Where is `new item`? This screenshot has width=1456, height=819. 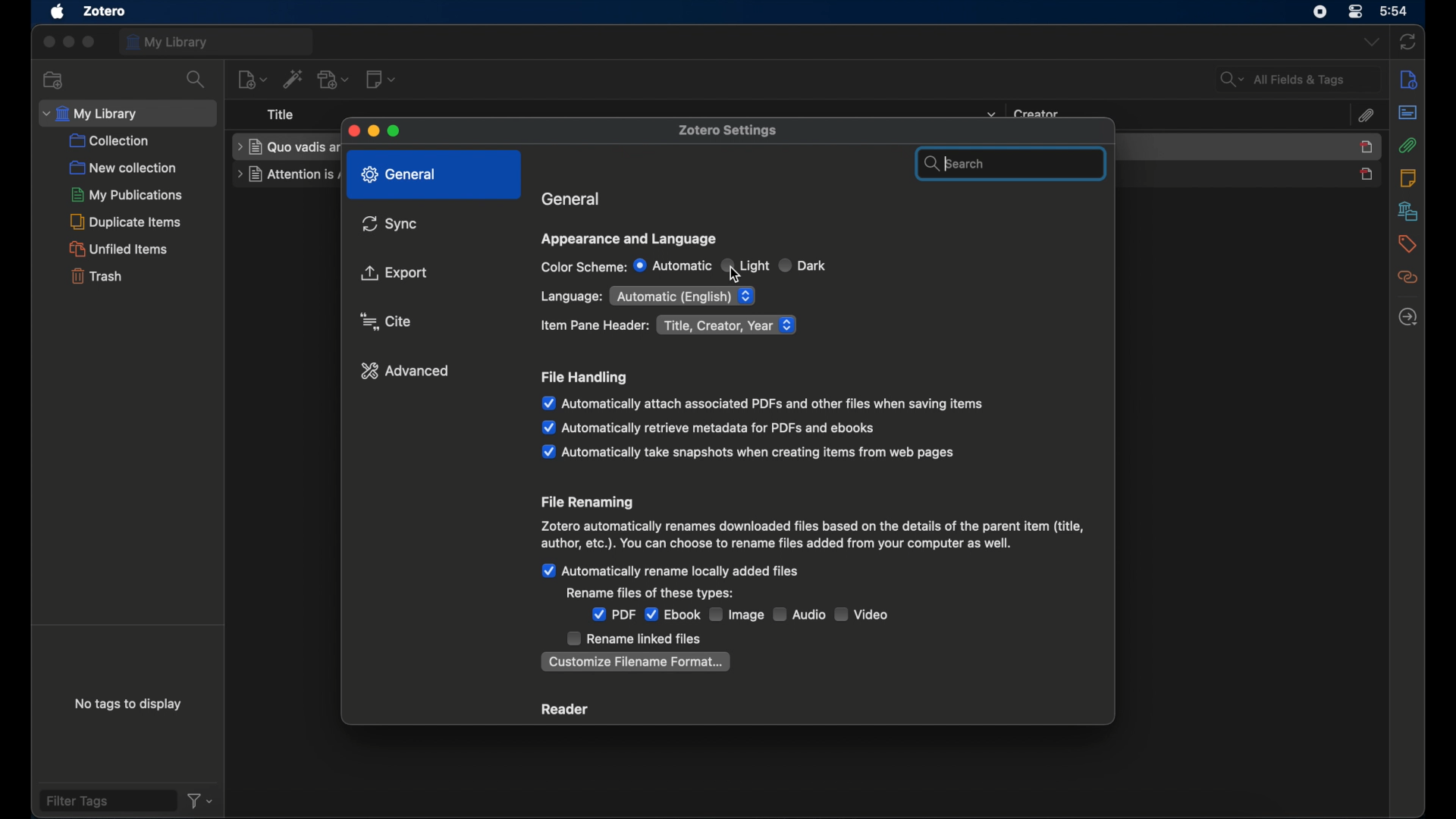 new item is located at coordinates (254, 80).